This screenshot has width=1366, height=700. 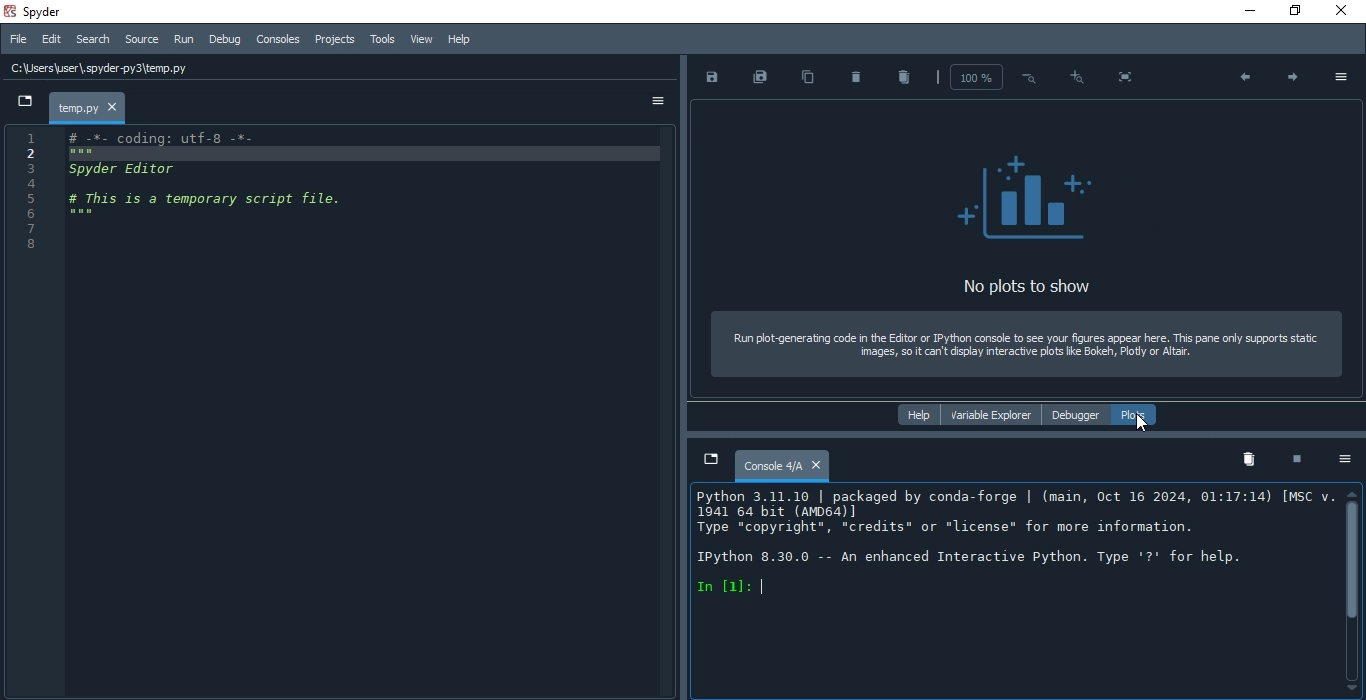 What do you see at coordinates (992, 415) in the screenshot?
I see `variable explorer` at bounding box center [992, 415].